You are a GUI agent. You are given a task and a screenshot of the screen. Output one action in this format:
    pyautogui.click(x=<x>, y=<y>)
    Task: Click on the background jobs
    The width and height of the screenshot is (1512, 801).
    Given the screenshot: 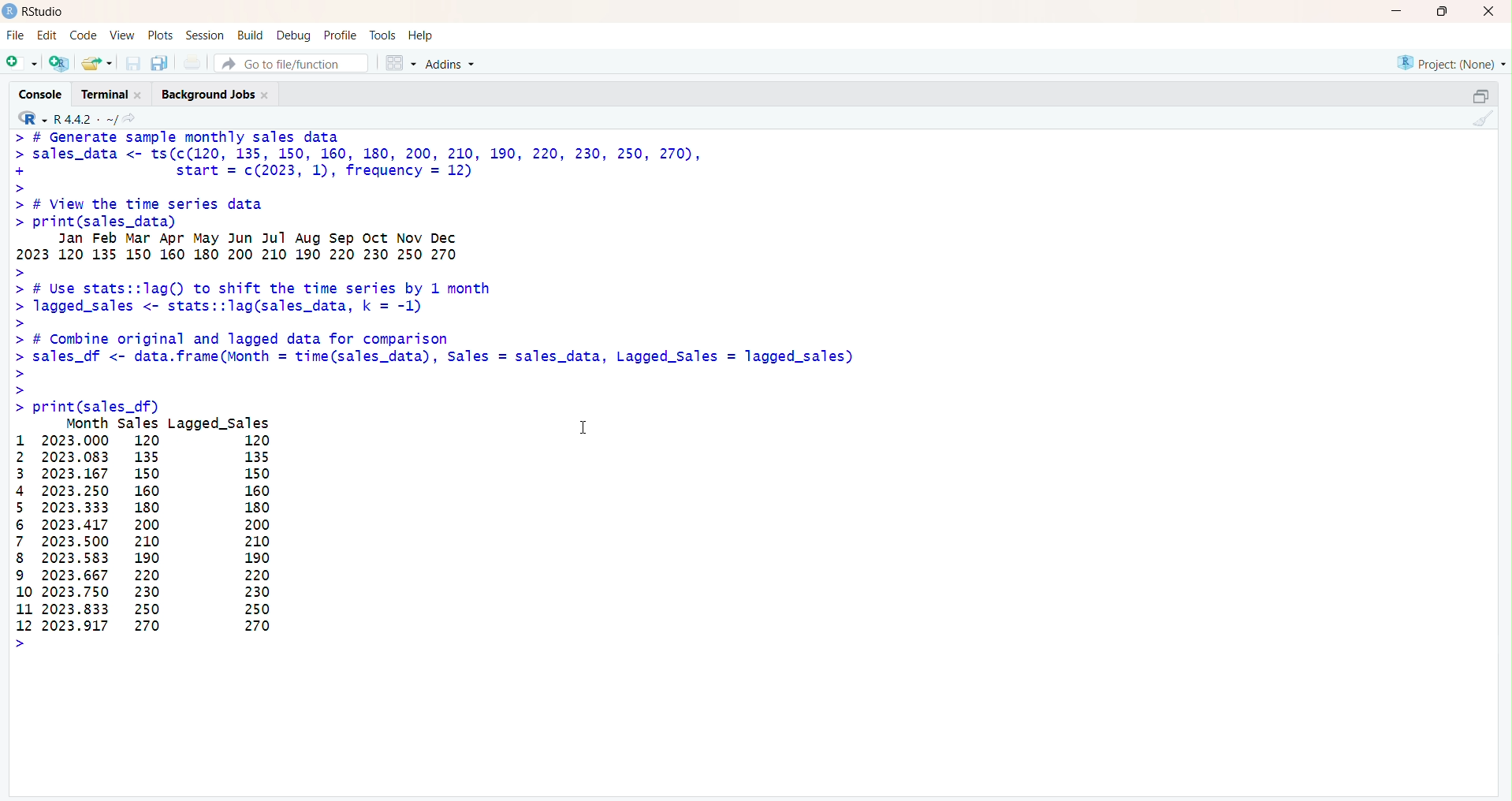 What is the action you would take?
    pyautogui.click(x=219, y=95)
    